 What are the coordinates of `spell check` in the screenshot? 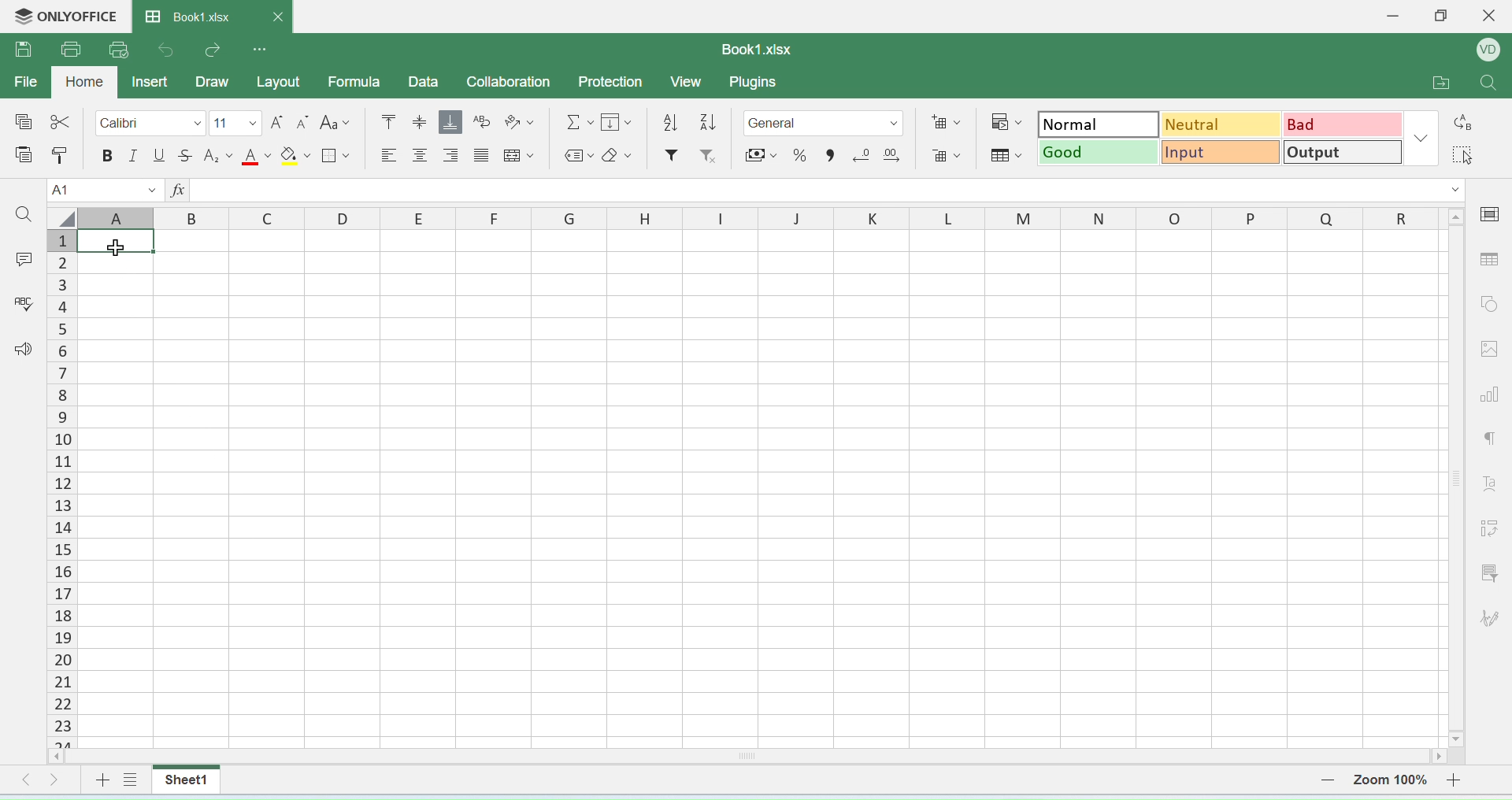 It's located at (24, 302).